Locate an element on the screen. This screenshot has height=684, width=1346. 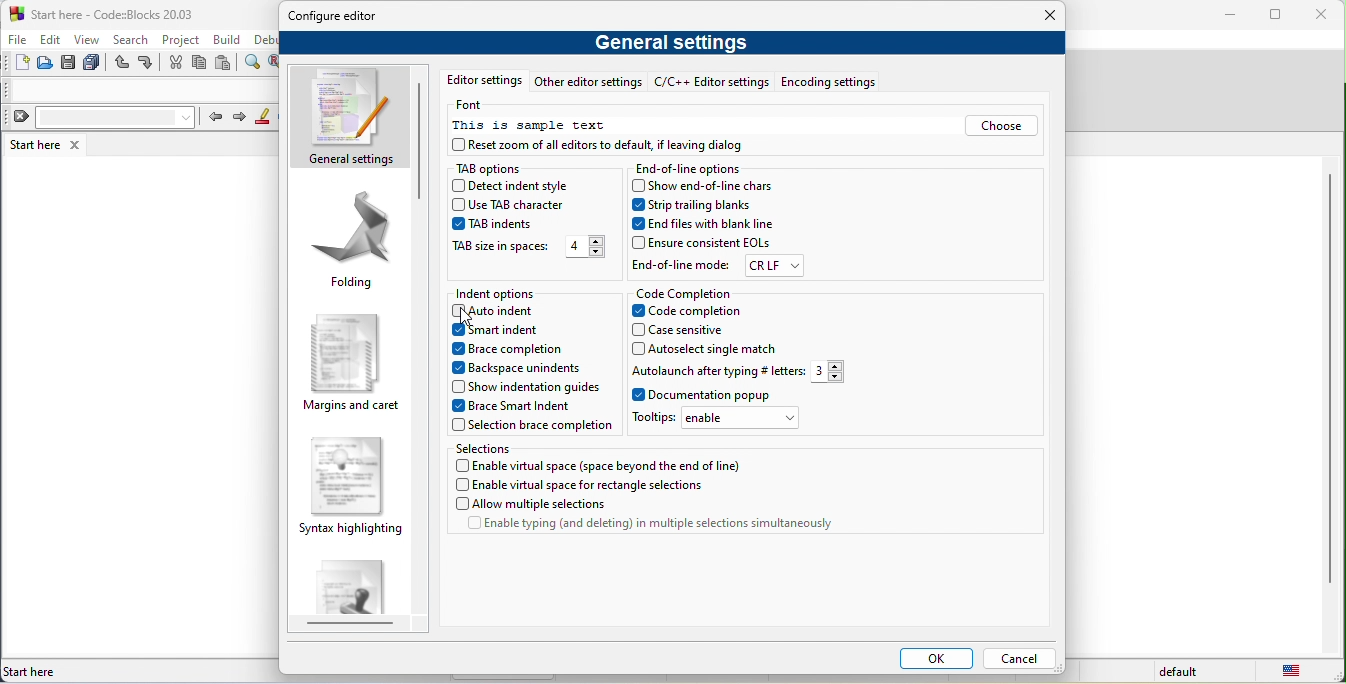
view is located at coordinates (90, 42).